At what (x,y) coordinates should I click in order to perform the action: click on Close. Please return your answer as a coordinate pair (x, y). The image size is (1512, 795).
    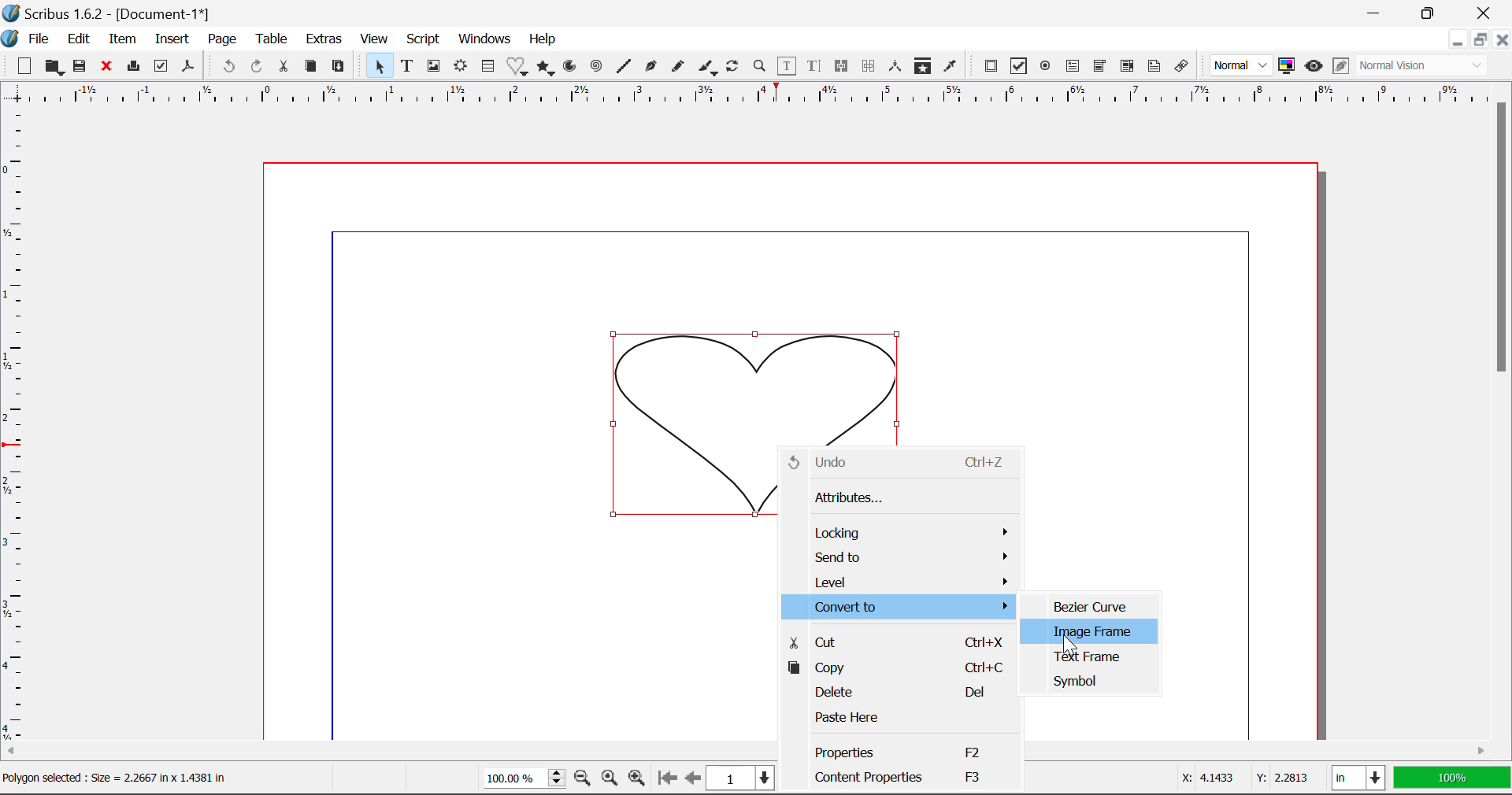
    Looking at the image, I should click on (109, 68).